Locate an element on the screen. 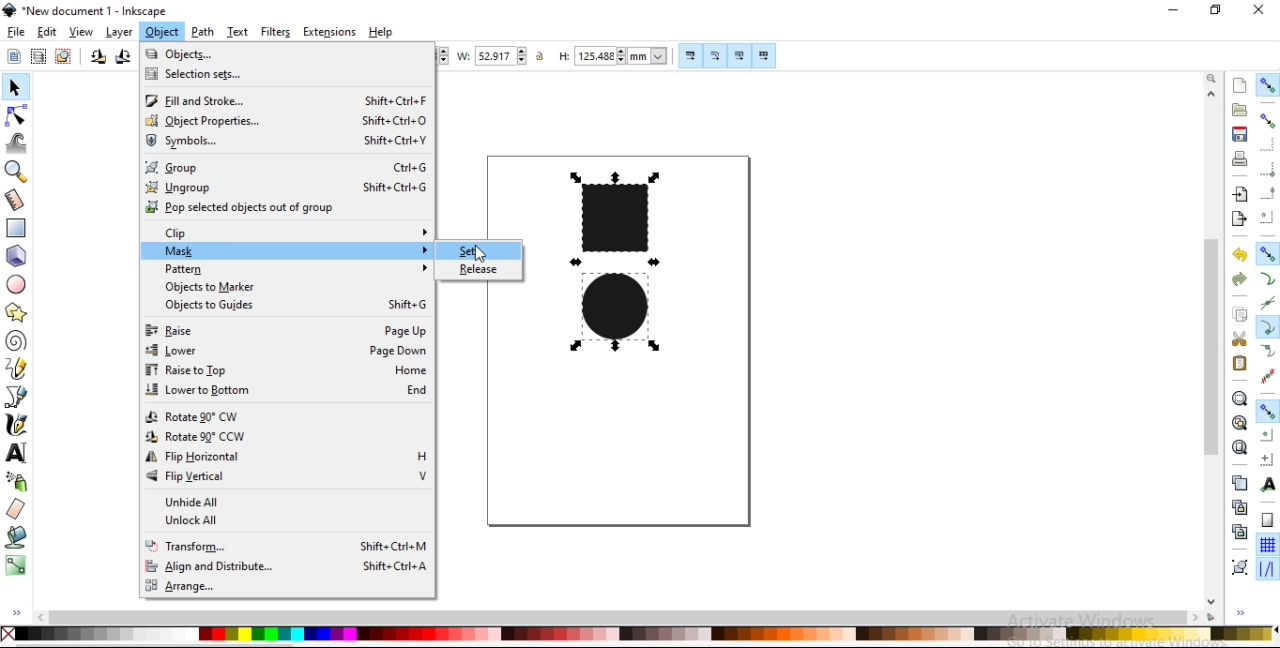 Image resolution: width=1280 pixels, height=648 pixels. spray objects by sculpting or painting is located at coordinates (16, 482).